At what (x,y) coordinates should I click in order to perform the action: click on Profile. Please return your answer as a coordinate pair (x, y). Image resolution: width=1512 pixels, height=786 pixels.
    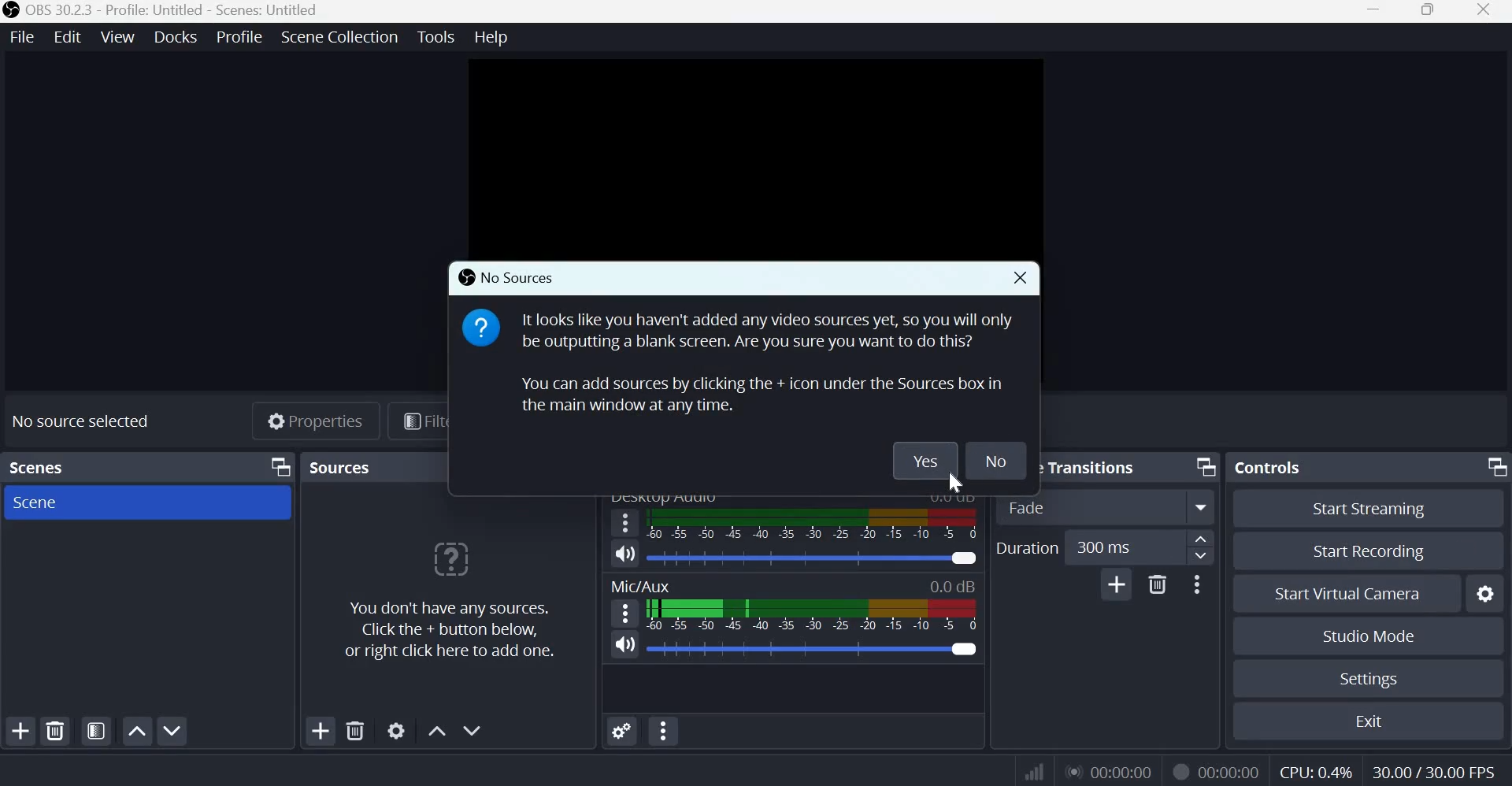
    Looking at the image, I should click on (238, 39).